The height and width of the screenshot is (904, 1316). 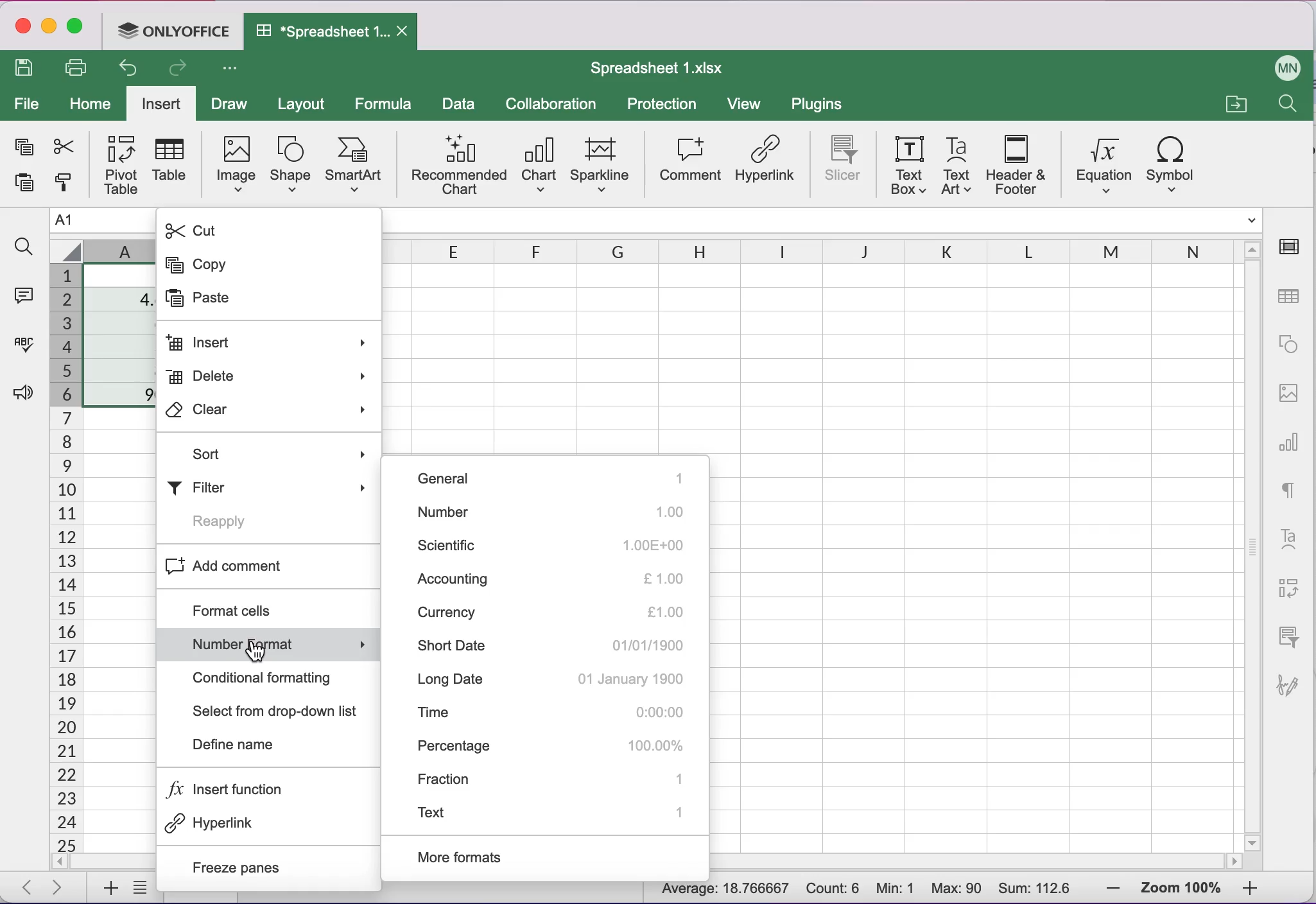 I want to click on Number format, so click(x=272, y=643).